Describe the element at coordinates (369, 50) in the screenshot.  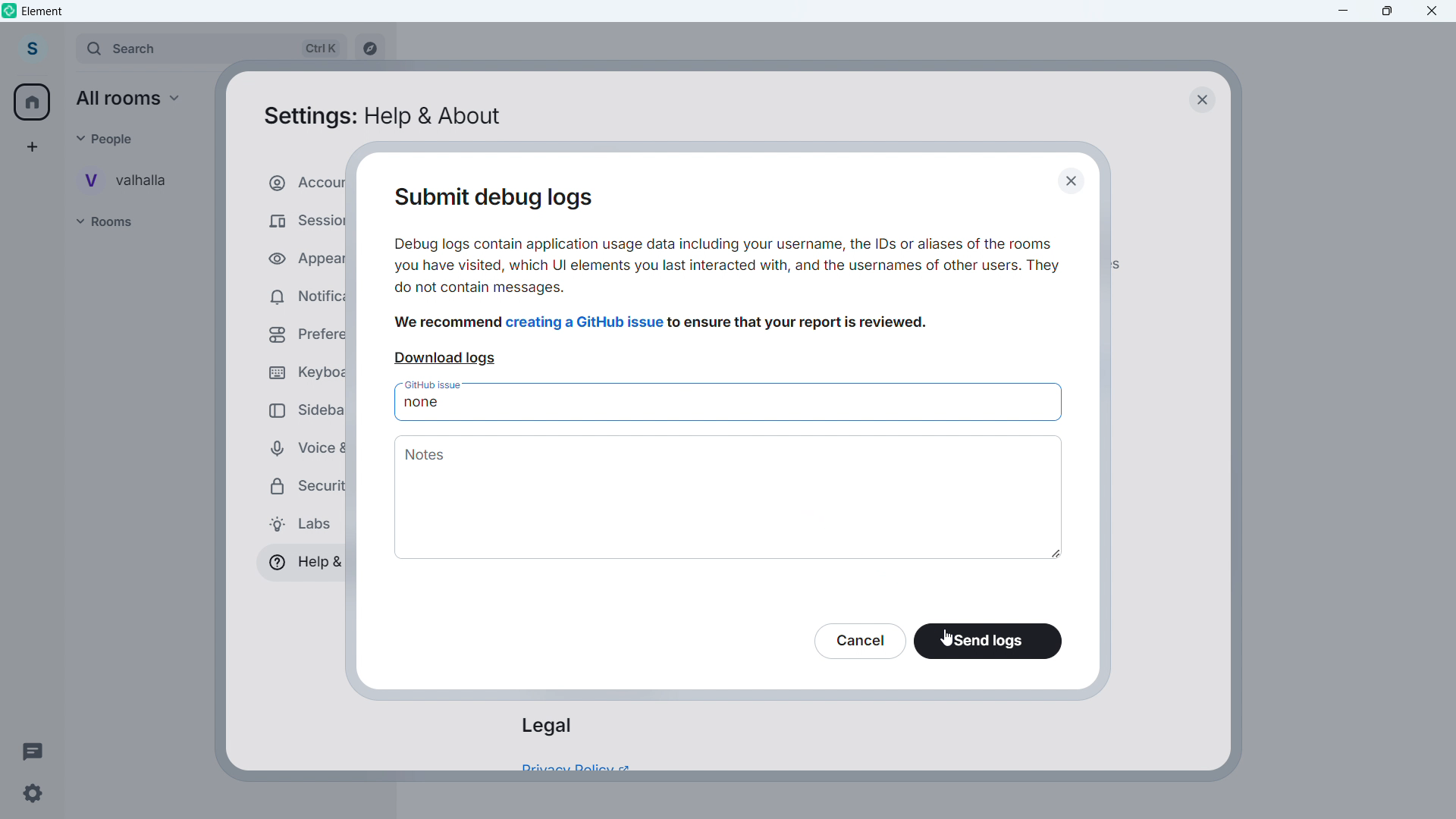
I see `Explore rooms ` at that location.